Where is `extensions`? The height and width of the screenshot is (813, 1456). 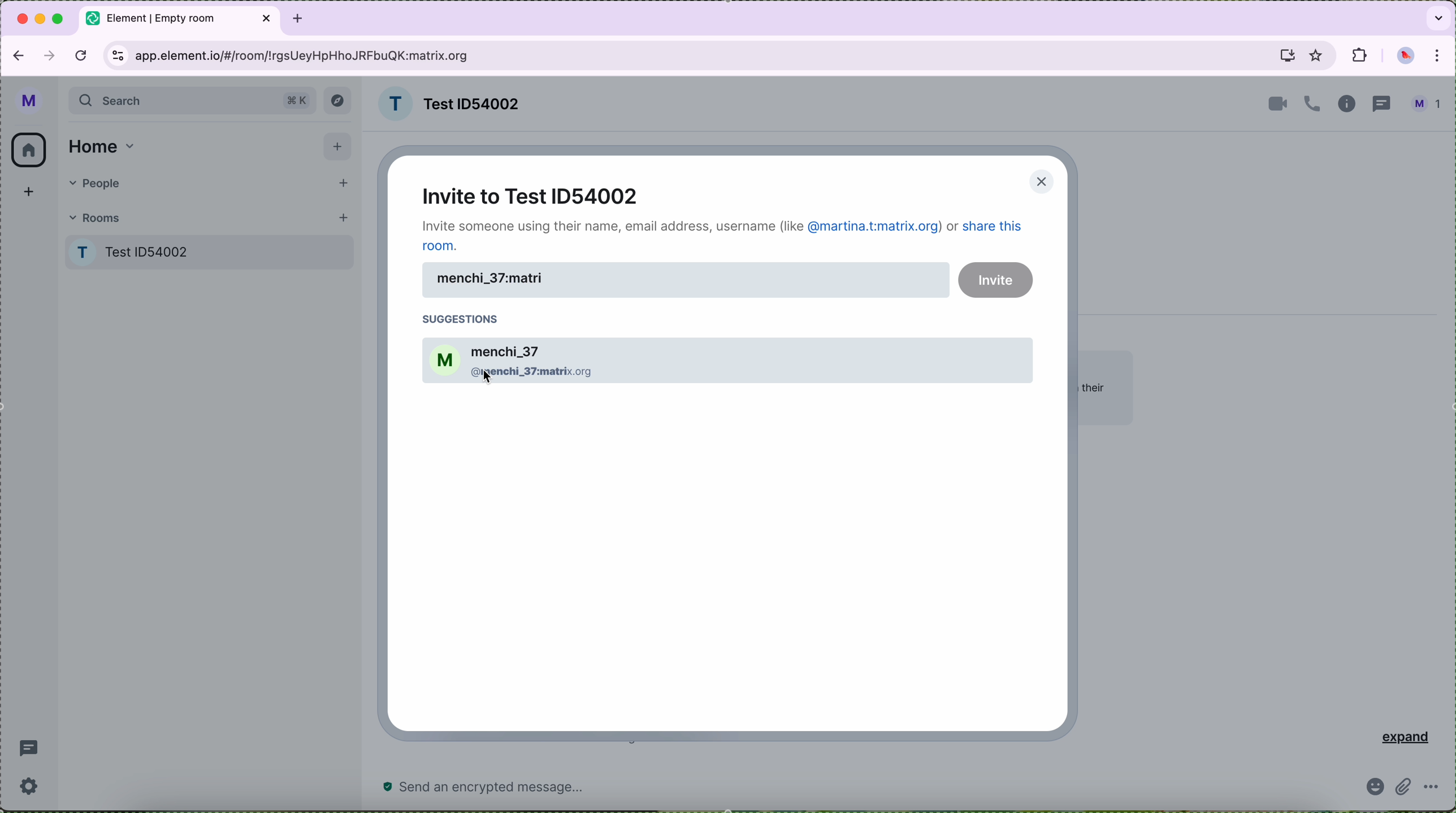 extensions is located at coordinates (1359, 56).